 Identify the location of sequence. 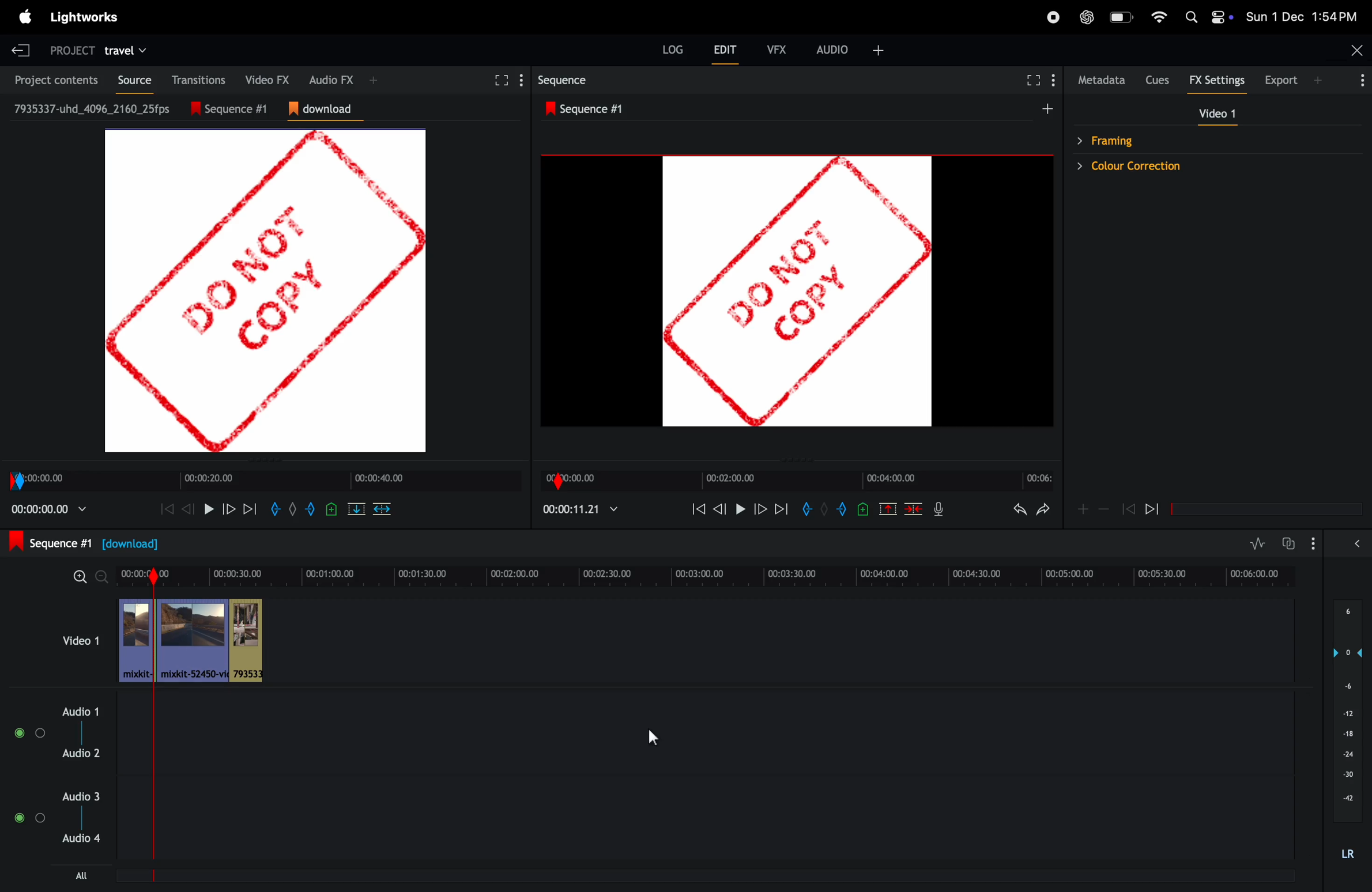
(565, 80).